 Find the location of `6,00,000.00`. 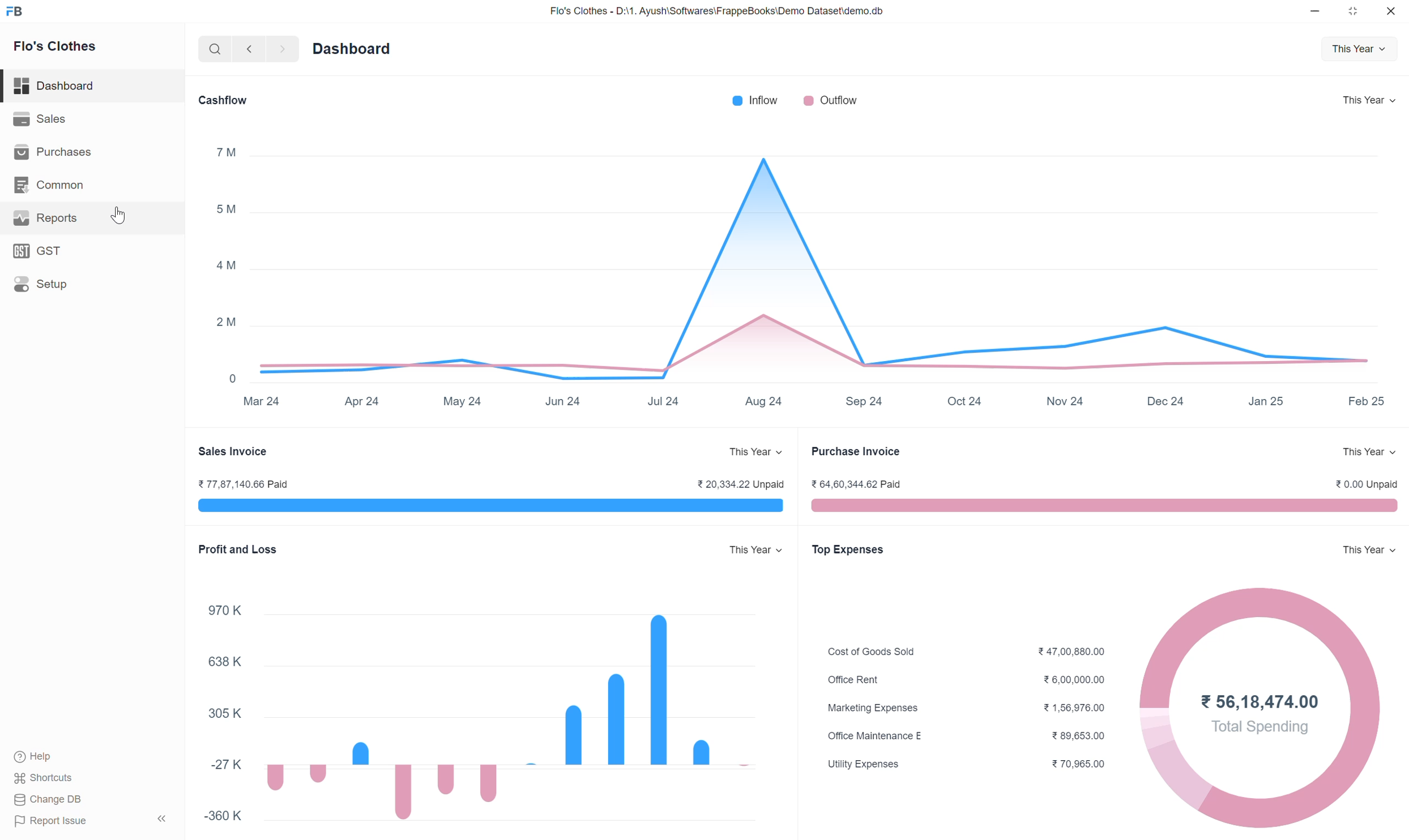

6,00,000.00 is located at coordinates (1078, 680).